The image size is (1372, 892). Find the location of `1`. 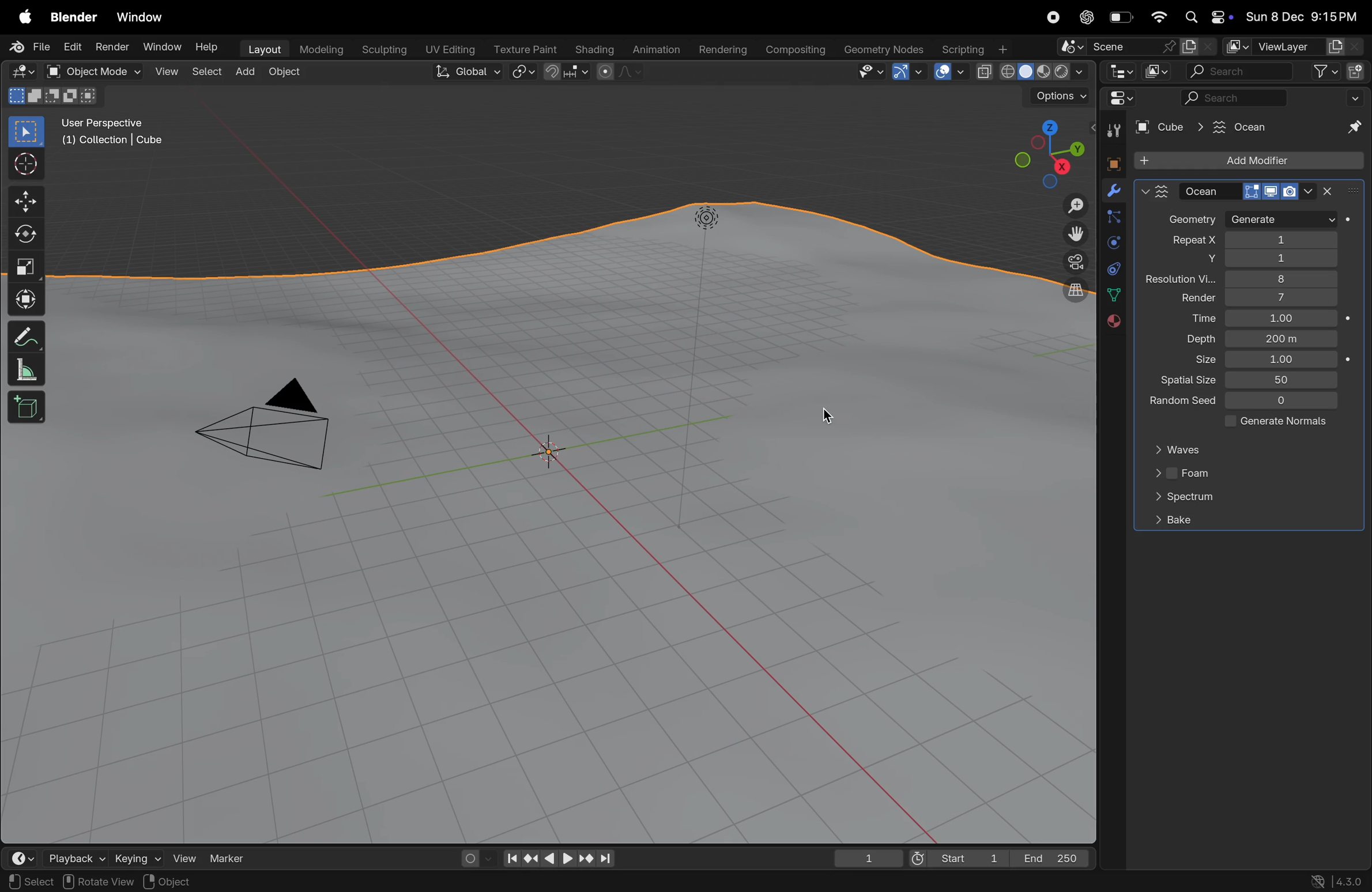

1 is located at coordinates (869, 858).